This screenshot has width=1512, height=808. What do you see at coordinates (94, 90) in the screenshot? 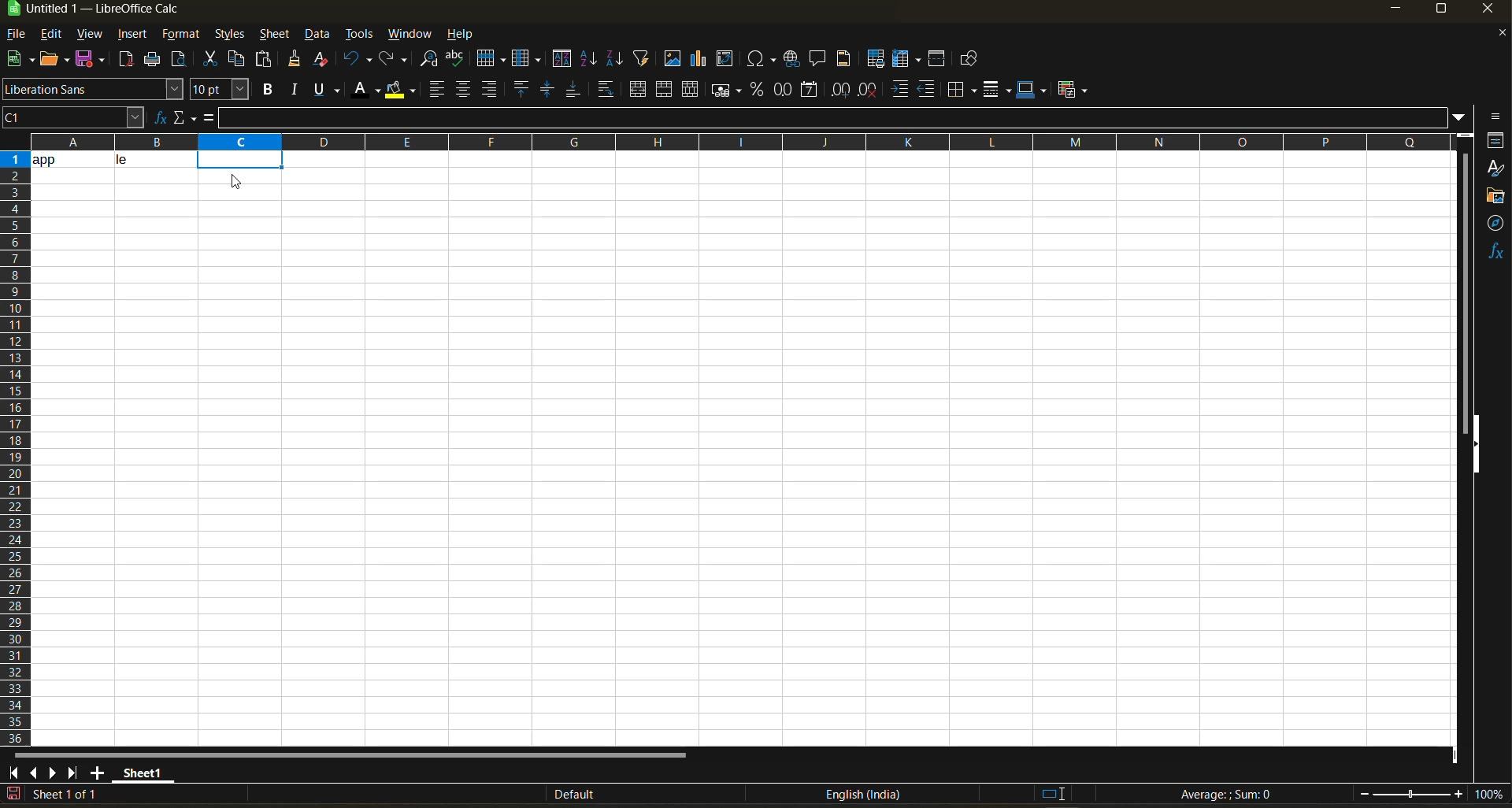
I see `font name` at bounding box center [94, 90].